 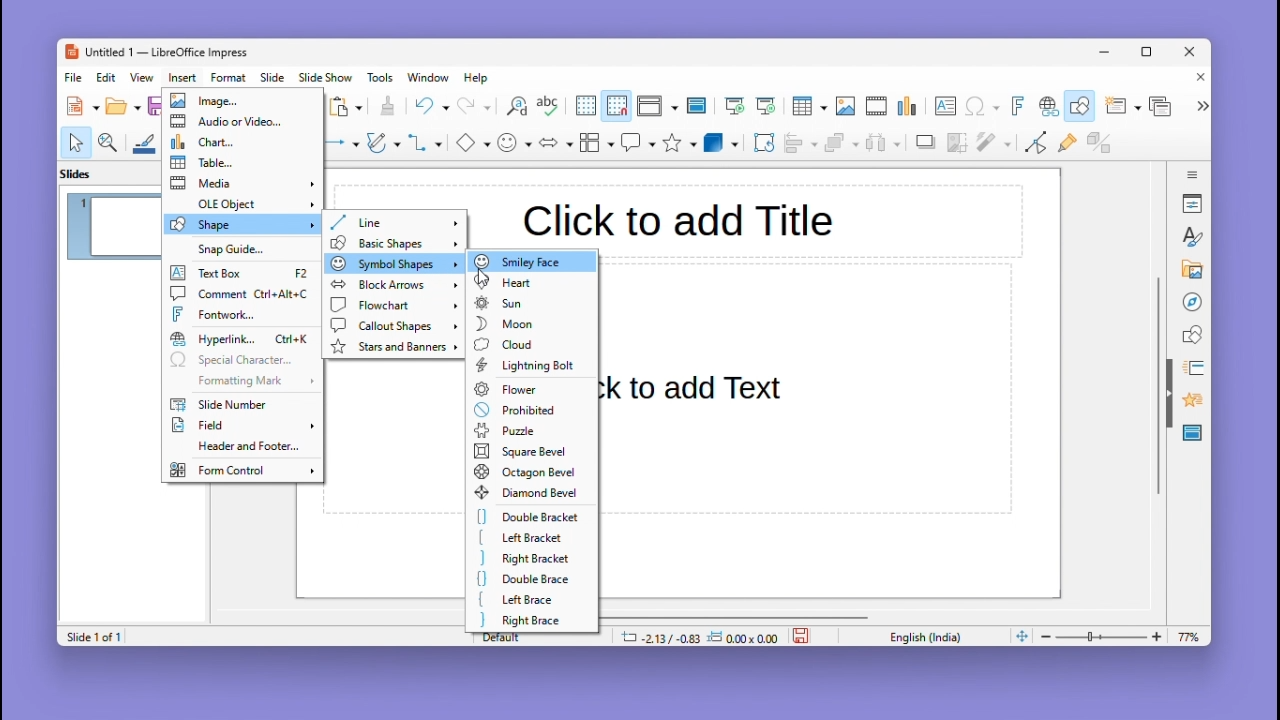 I want to click on Symbol shapes, so click(x=391, y=263).